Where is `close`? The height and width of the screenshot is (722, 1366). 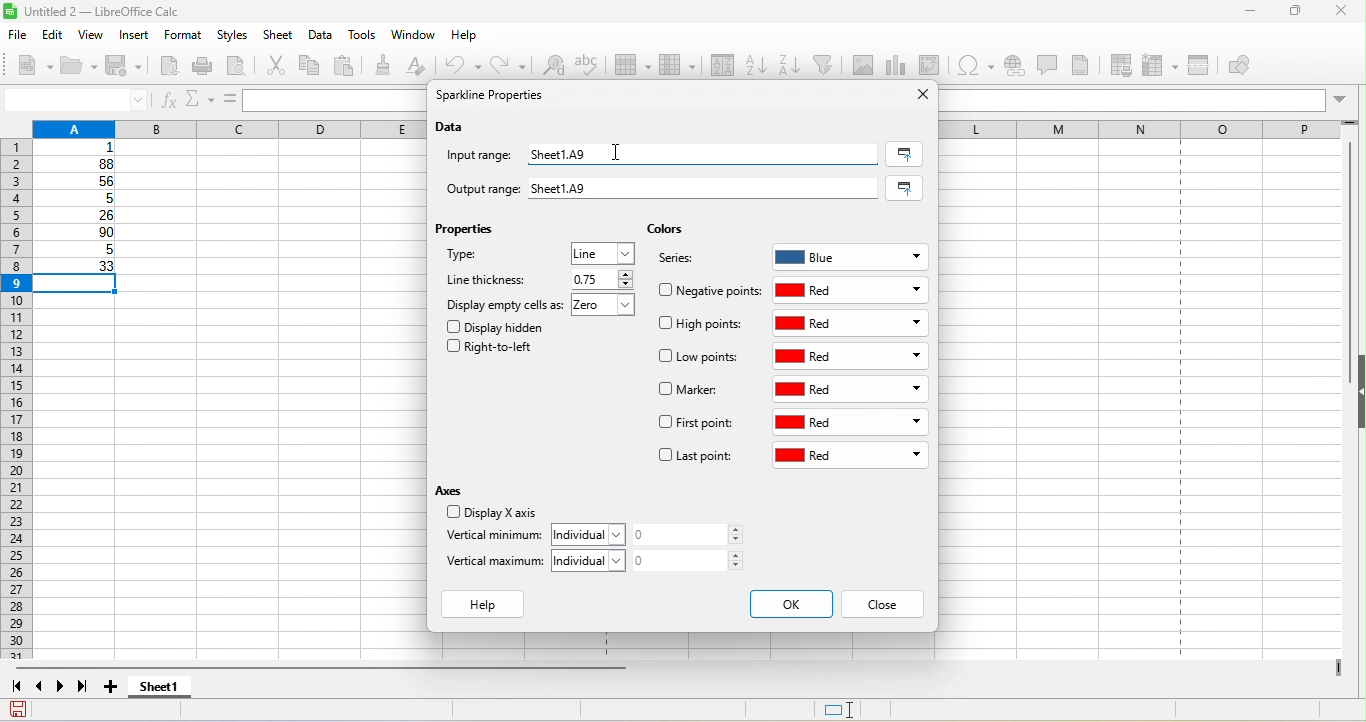 close is located at coordinates (917, 95).